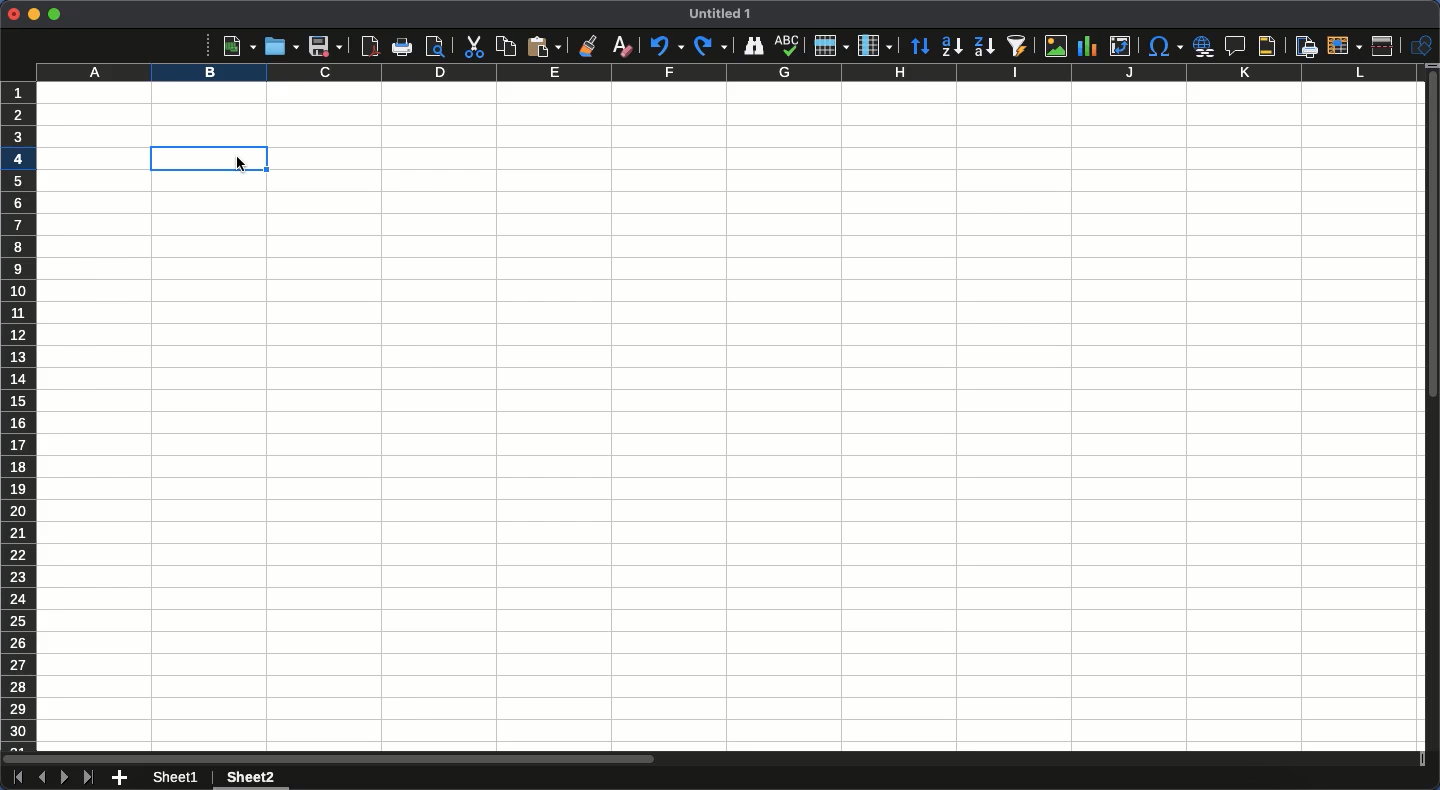  I want to click on Freeze rows and columns, so click(1345, 44).